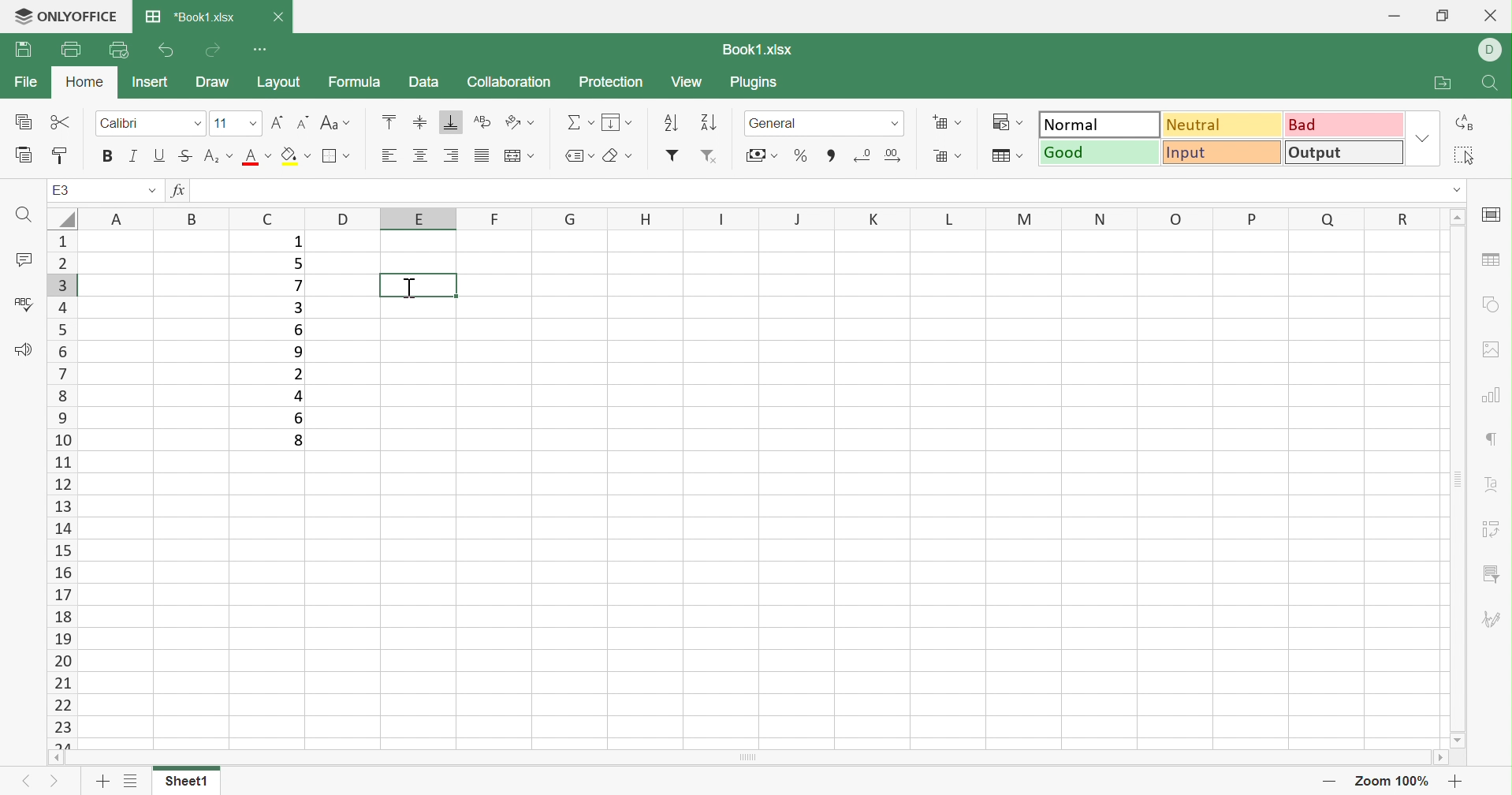 This screenshot has height=795, width=1512. I want to click on Previous, so click(26, 781).